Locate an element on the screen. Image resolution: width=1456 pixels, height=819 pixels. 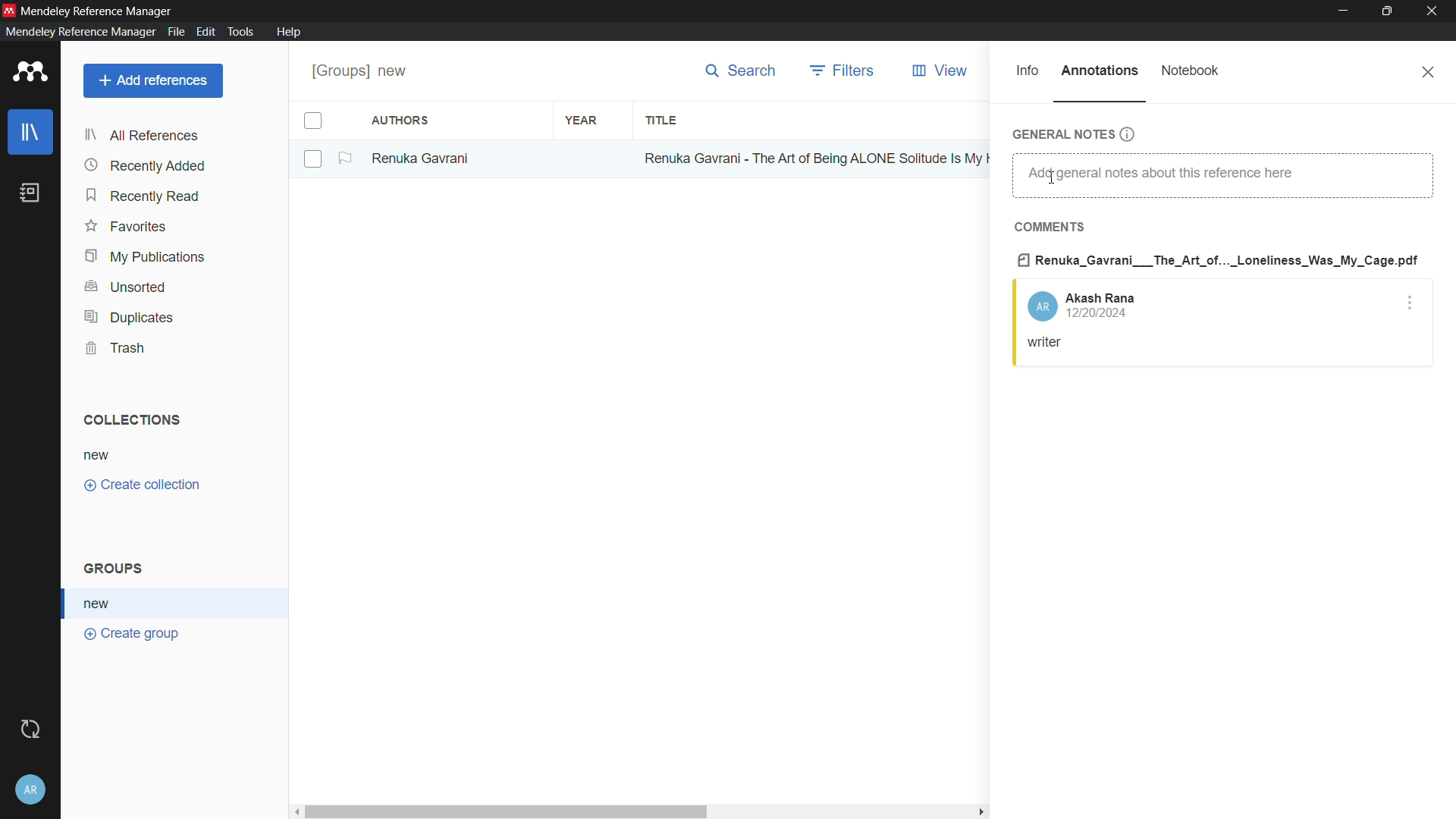
annotations is located at coordinates (1100, 70).